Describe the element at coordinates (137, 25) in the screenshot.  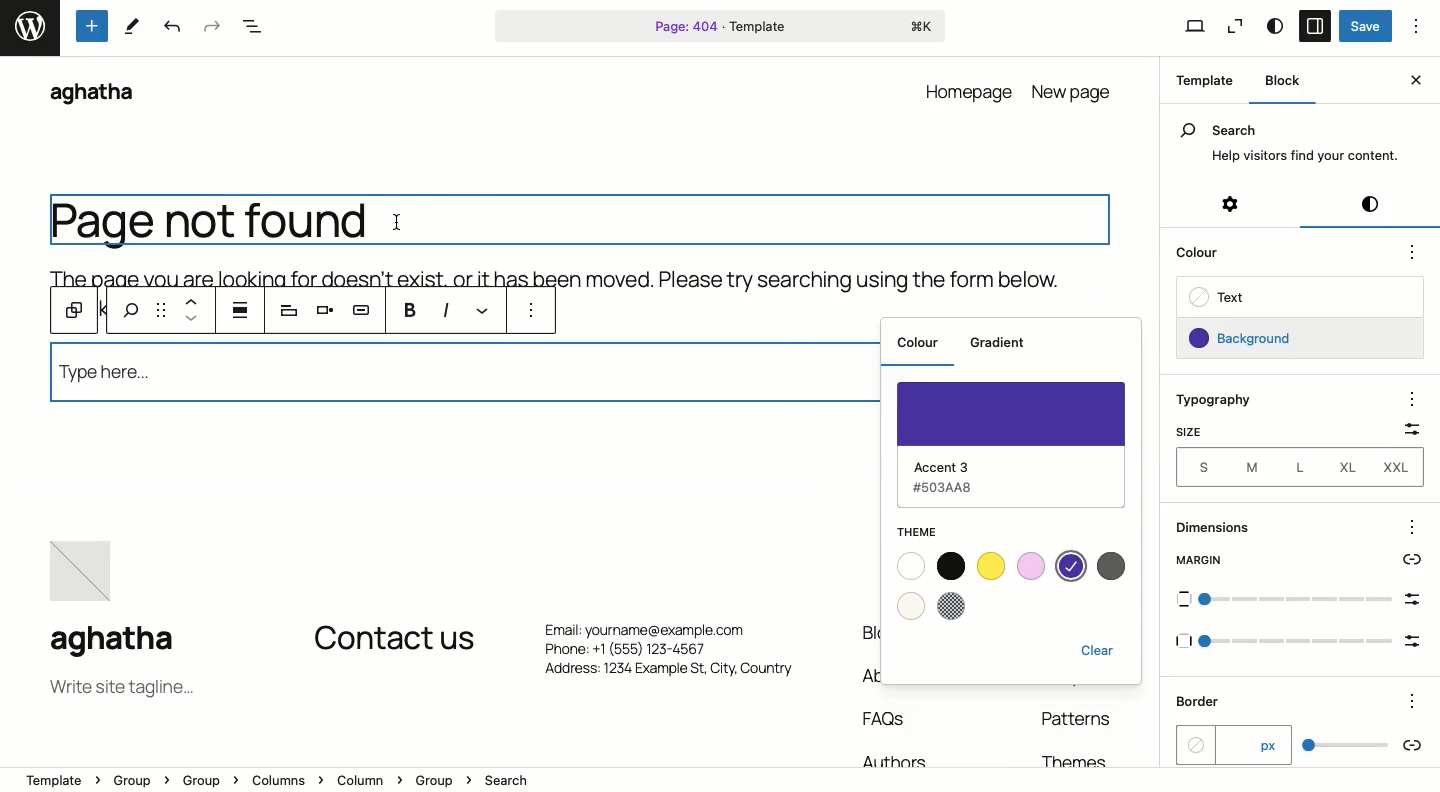
I see `tools` at that location.